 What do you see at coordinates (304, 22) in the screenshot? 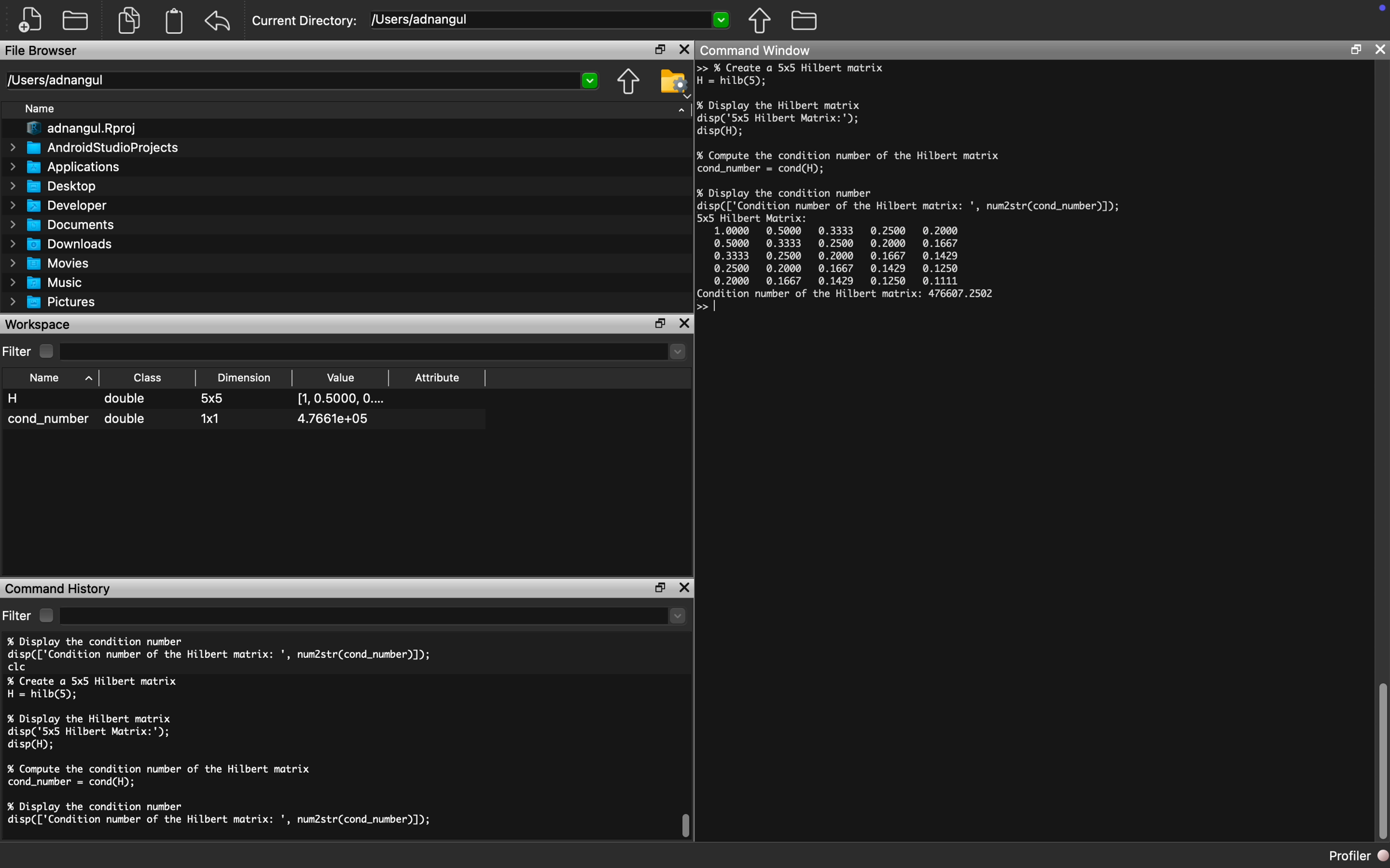
I see `Current Directory:` at bounding box center [304, 22].